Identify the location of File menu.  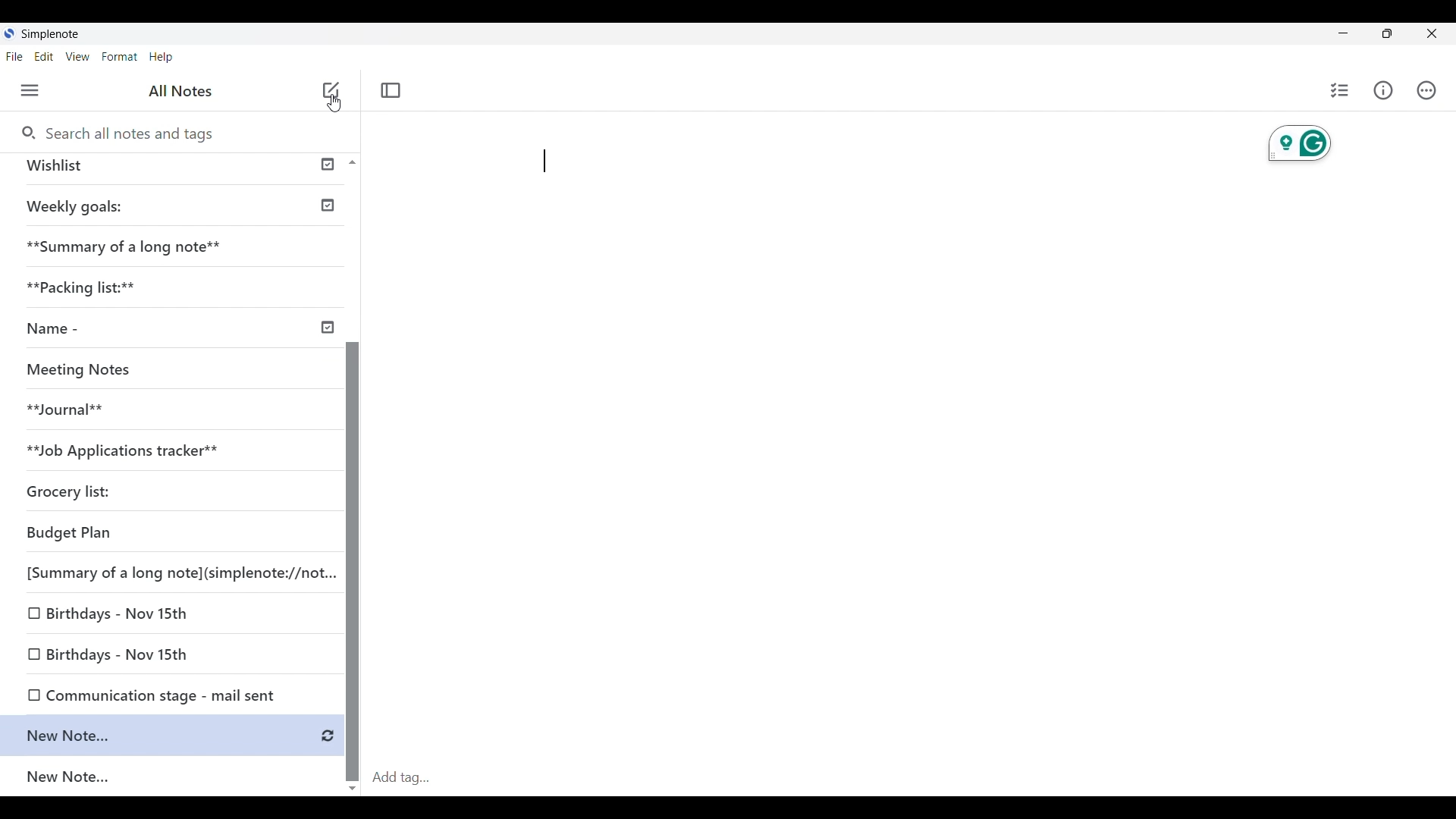
(14, 57).